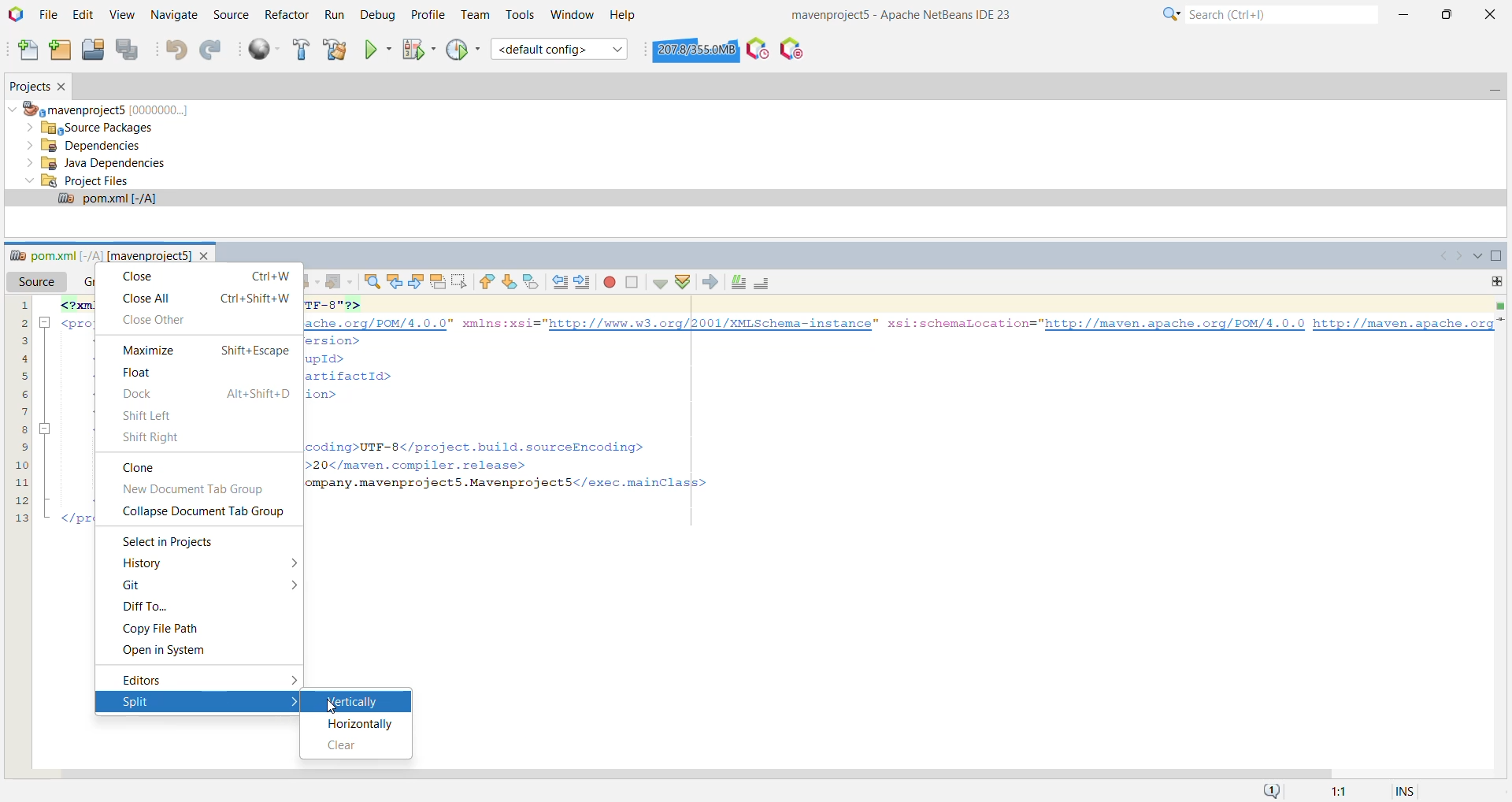 The height and width of the screenshot is (802, 1512). Describe the element at coordinates (124, 15) in the screenshot. I see `View` at that location.